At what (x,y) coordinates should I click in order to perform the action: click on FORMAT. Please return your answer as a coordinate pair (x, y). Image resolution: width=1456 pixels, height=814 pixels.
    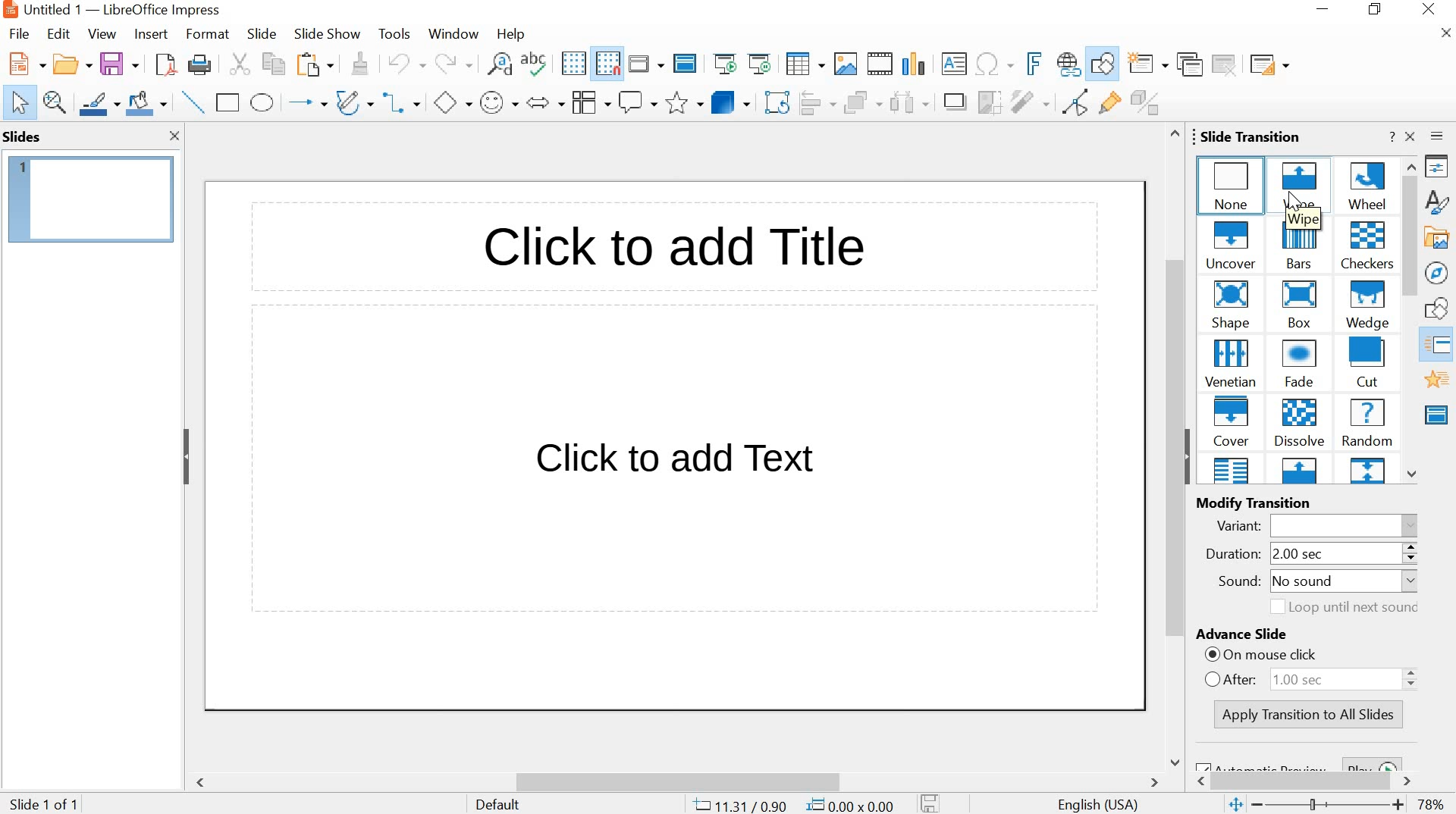
    Looking at the image, I should click on (206, 36).